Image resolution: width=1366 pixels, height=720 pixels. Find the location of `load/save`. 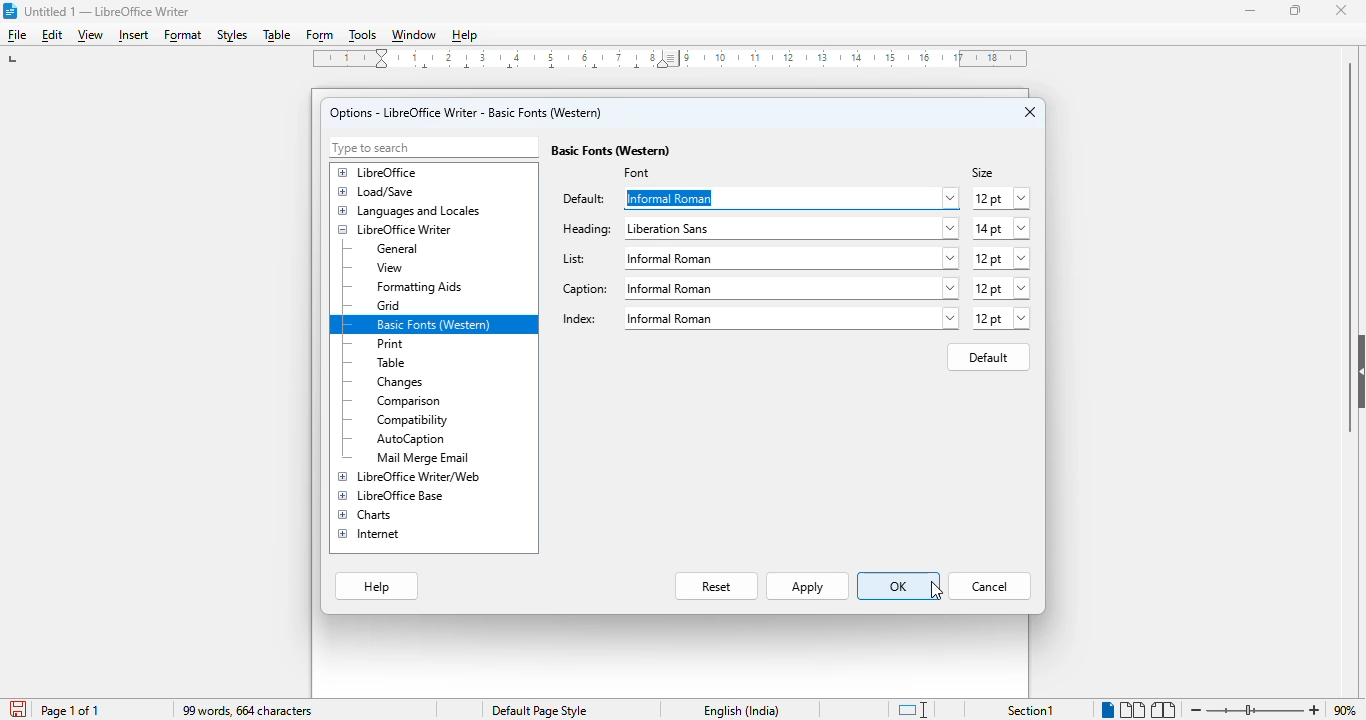

load/save is located at coordinates (377, 192).